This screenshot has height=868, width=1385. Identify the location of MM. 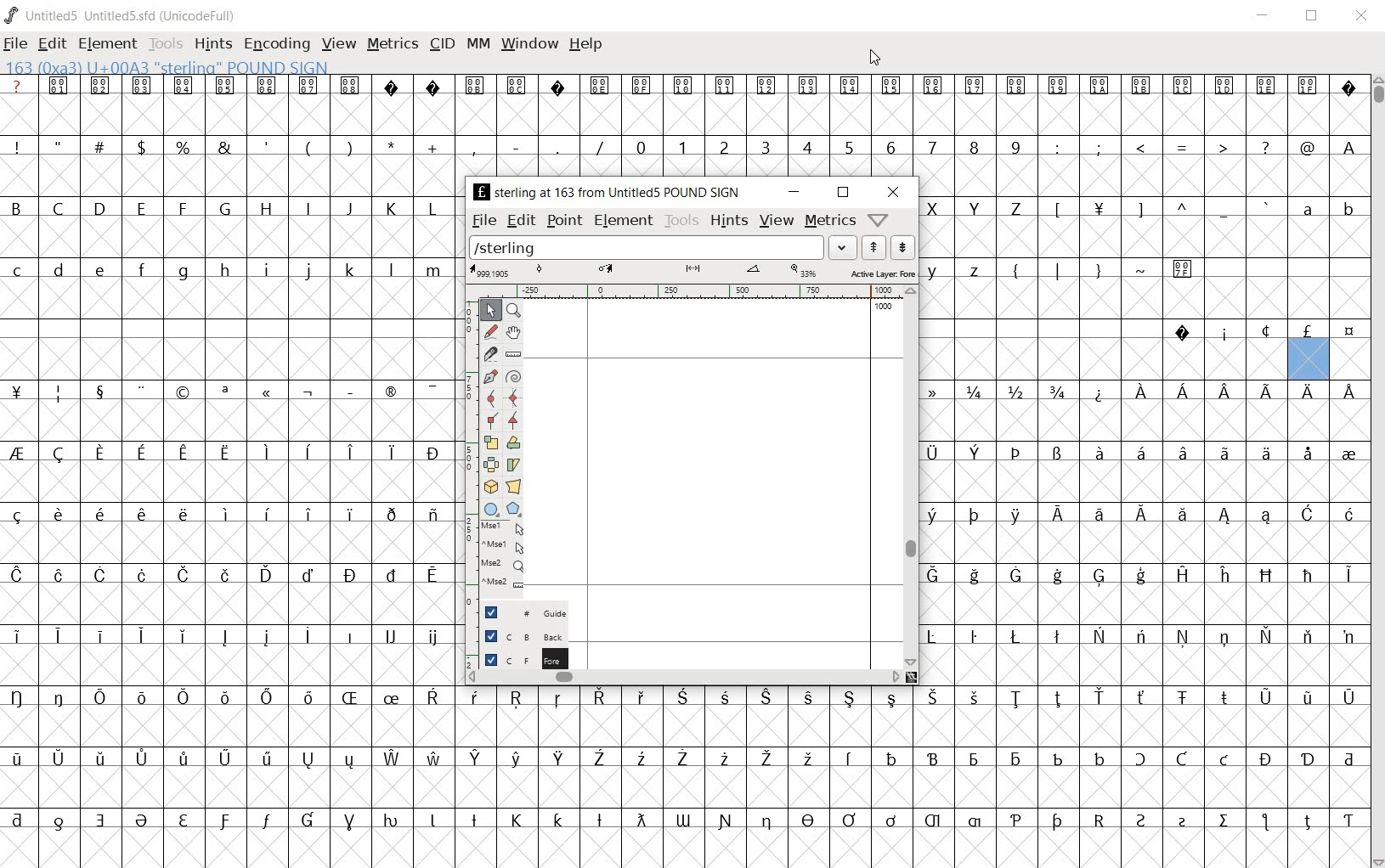
(479, 45).